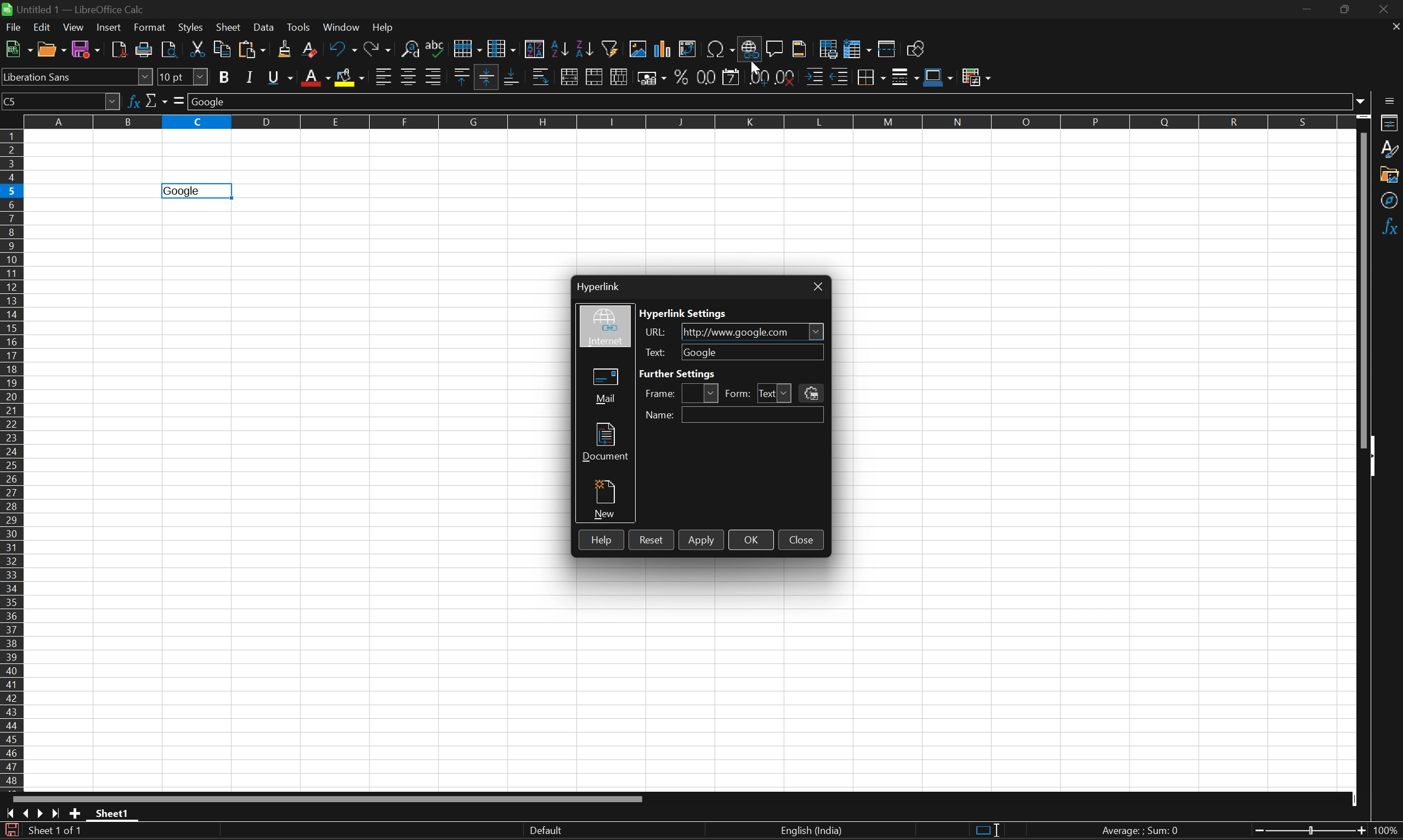 Image resolution: width=1403 pixels, height=840 pixels. What do you see at coordinates (613, 47) in the screenshot?
I see `Auto filter` at bounding box center [613, 47].